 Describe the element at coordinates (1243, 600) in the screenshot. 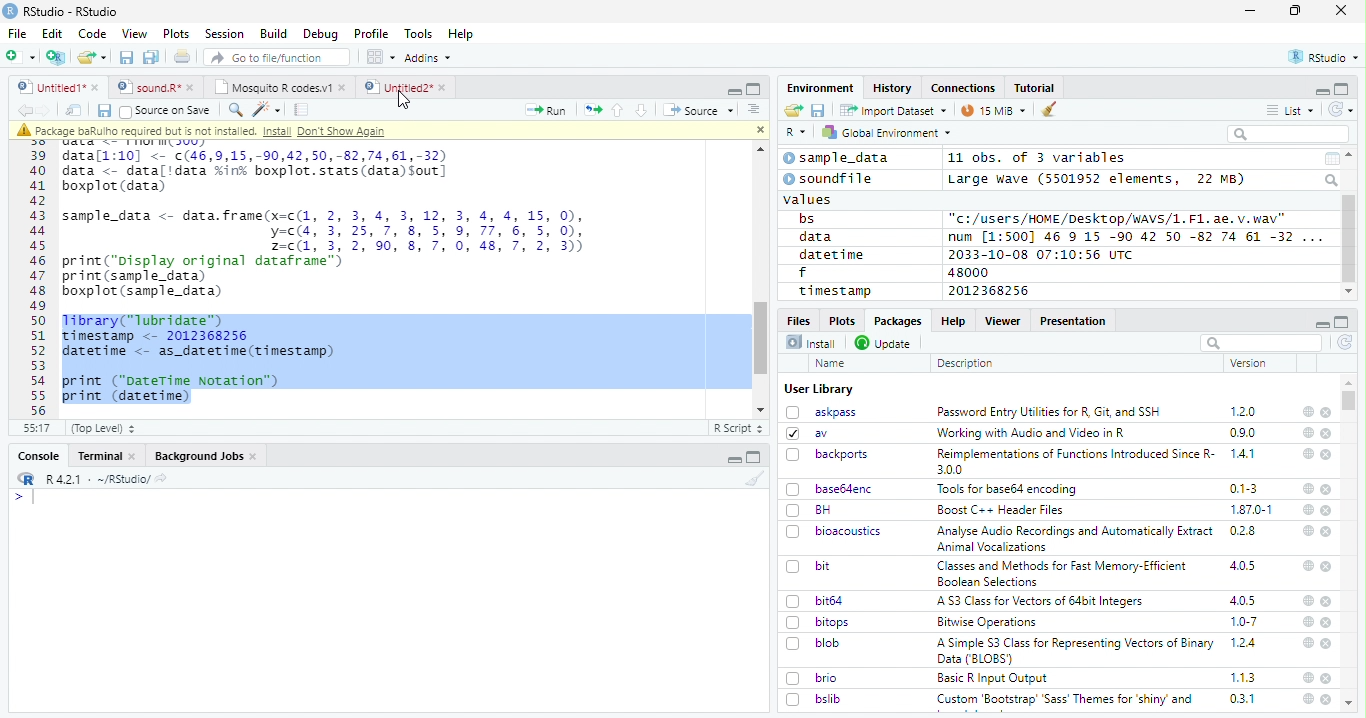

I see `4.0.5` at that location.